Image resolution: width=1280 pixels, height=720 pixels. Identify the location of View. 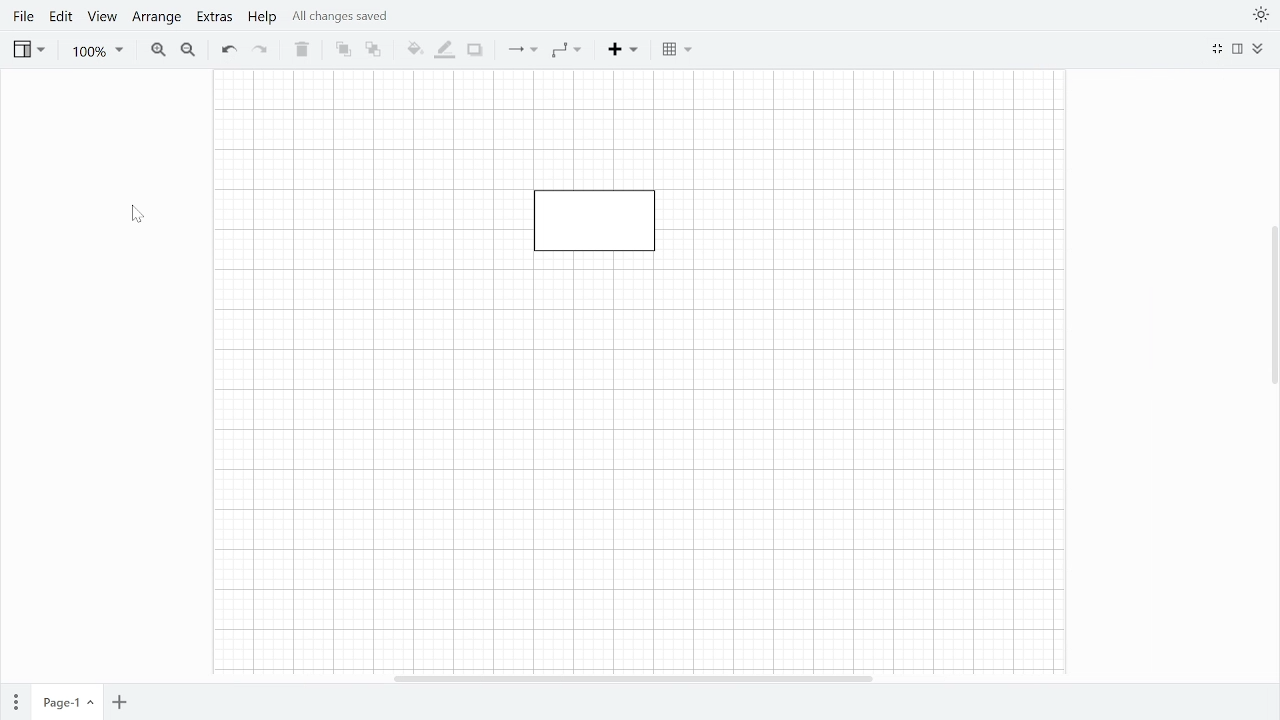
(104, 19).